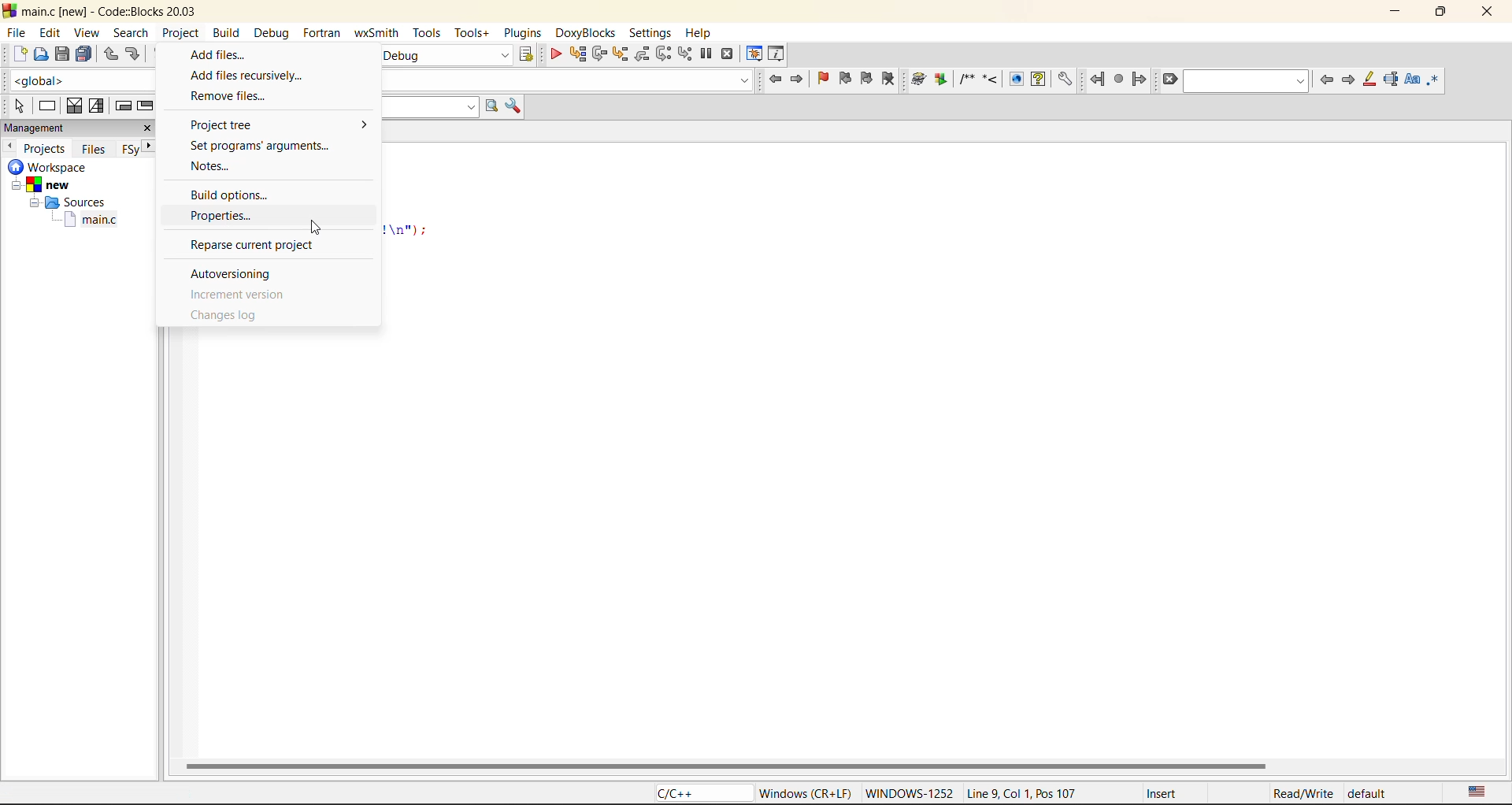 This screenshot has height=805, width=1512. I want to click on close, so click(1488, 10).